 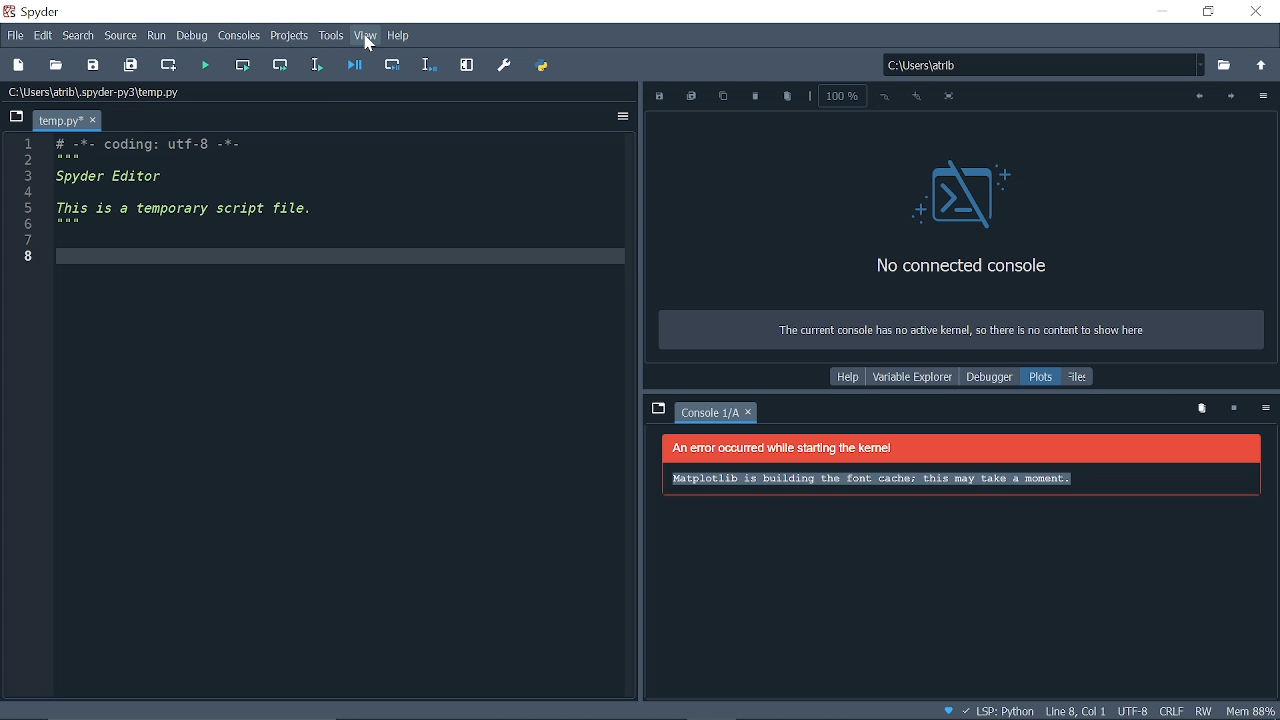 I want to click on Code line no.s, so click(x=32, y=199).